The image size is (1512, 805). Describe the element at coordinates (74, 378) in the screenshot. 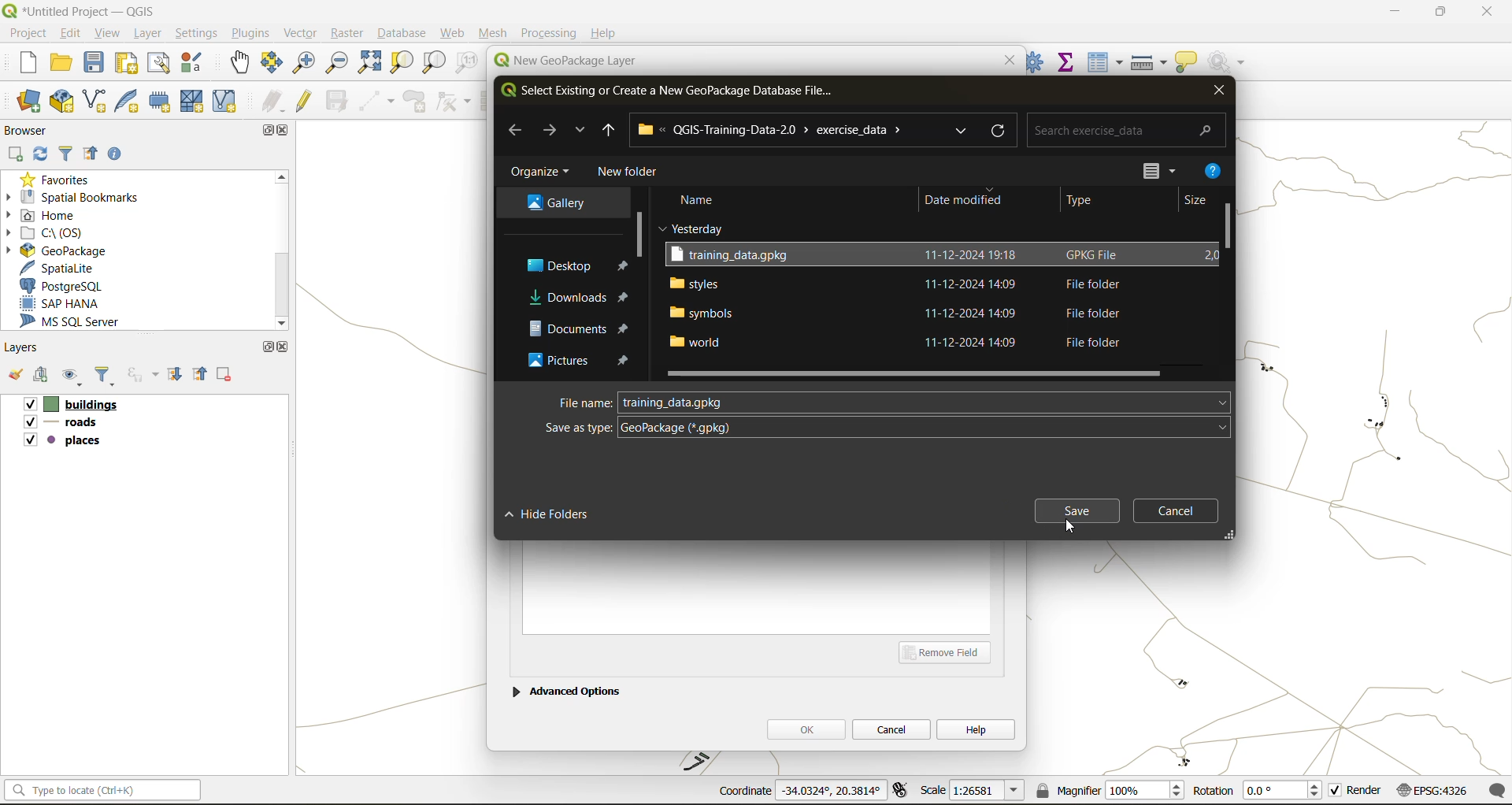

I see `manage map` at that location.